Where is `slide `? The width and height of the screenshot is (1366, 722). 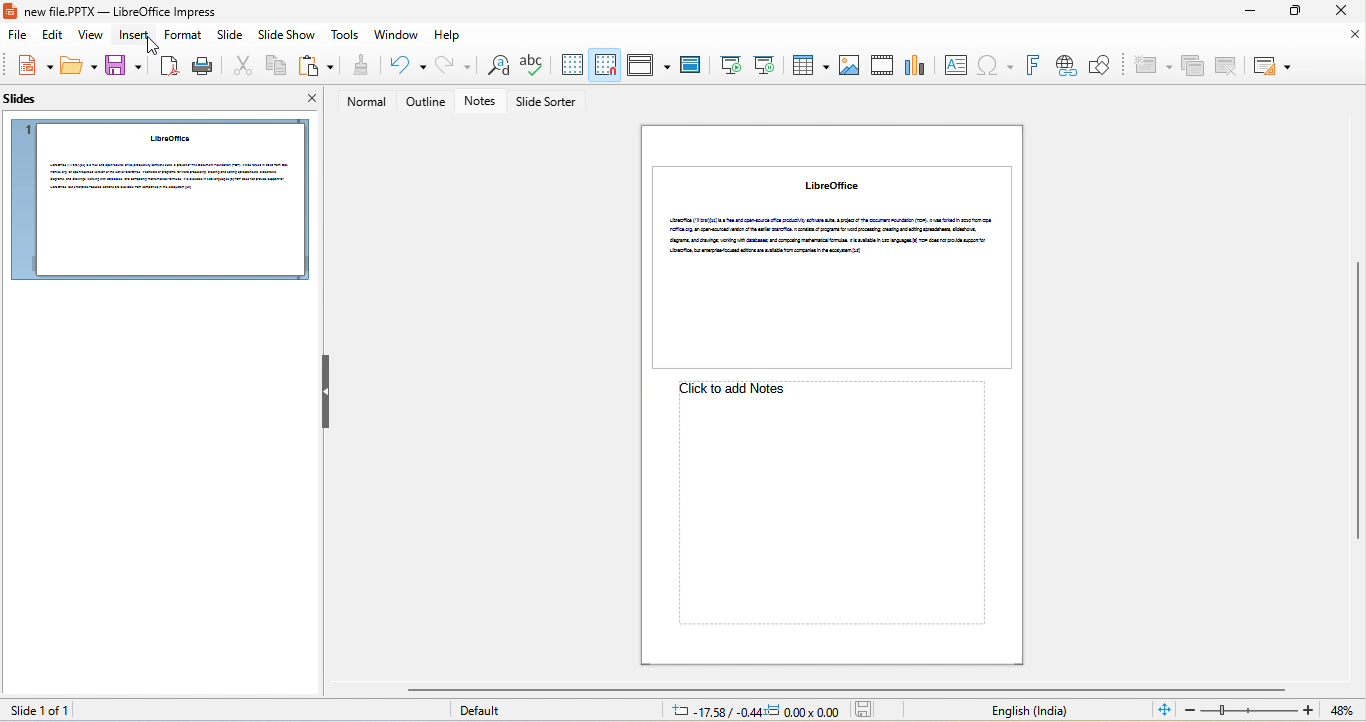
slide  is located at coordinates (838, 266).